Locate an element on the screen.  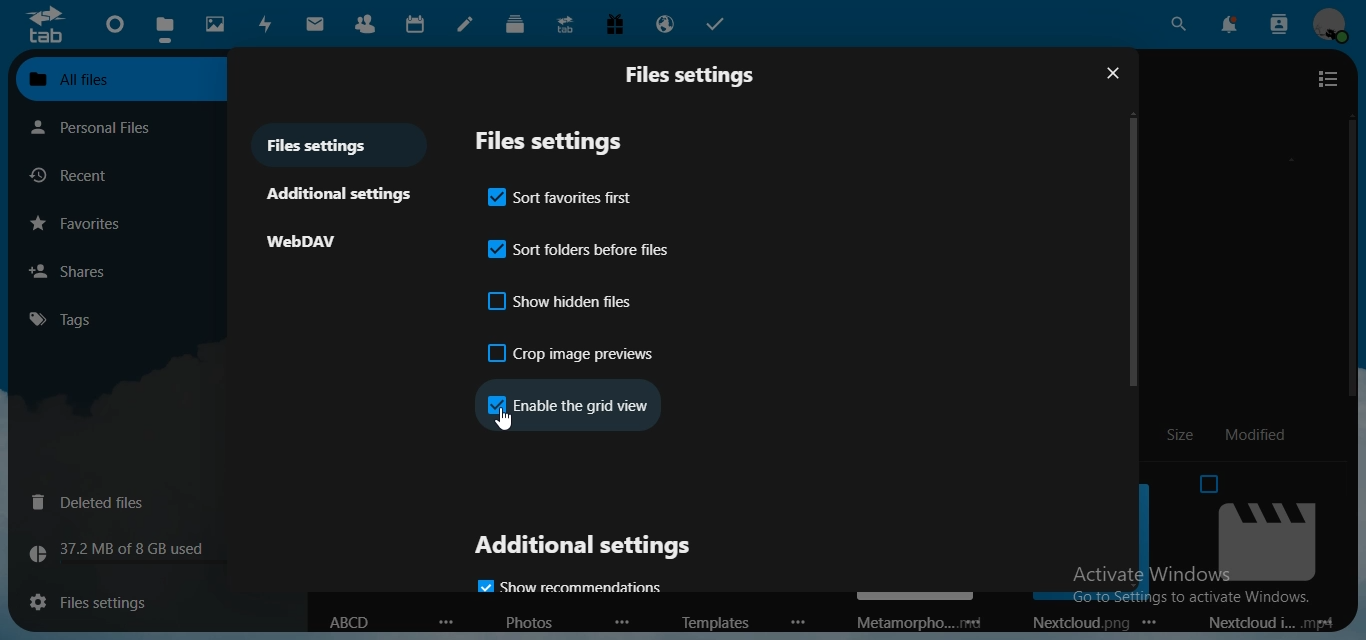
WebDAV is located at coordinates (309, 242).